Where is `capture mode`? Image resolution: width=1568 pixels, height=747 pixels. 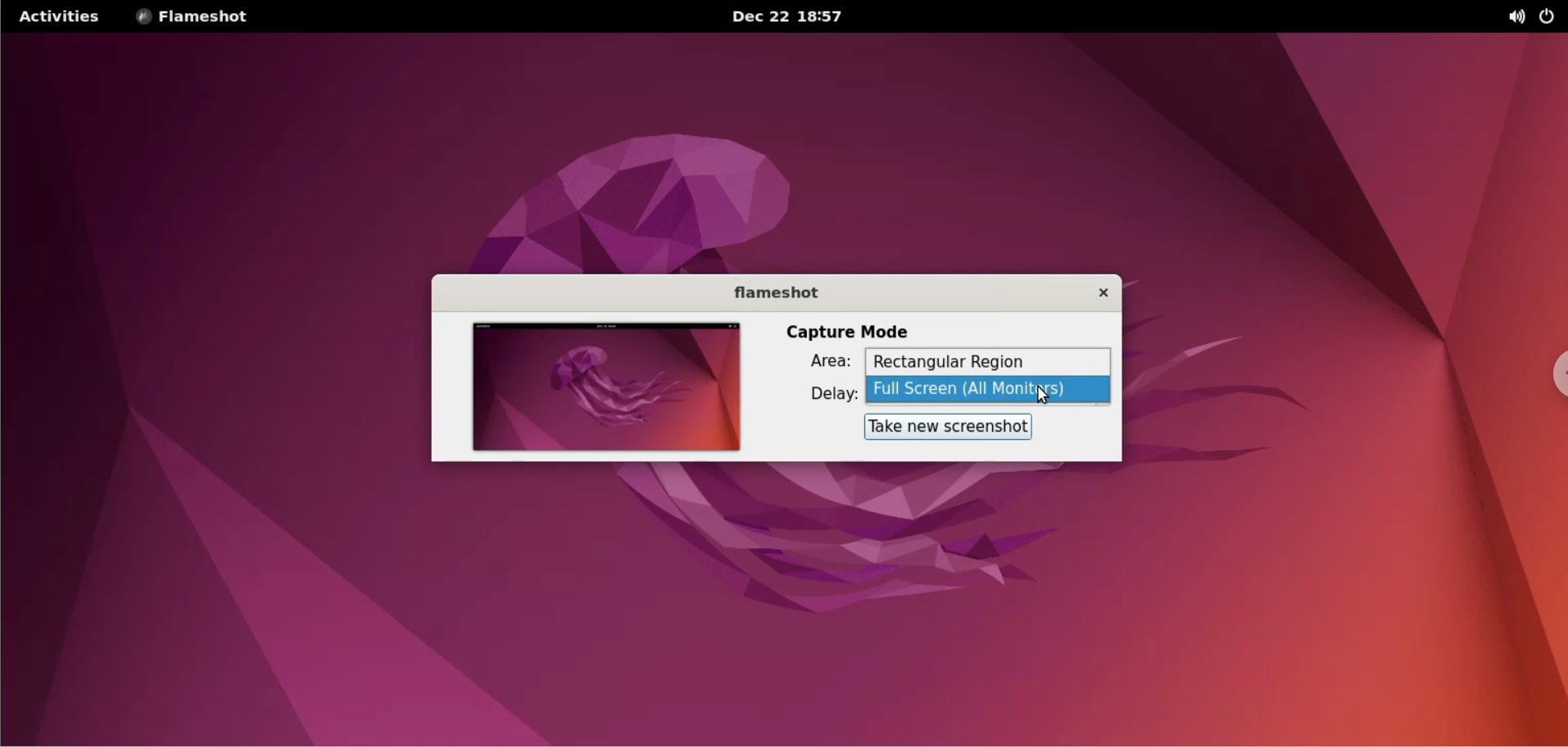 capture mode is located at coordinates (850, 330).